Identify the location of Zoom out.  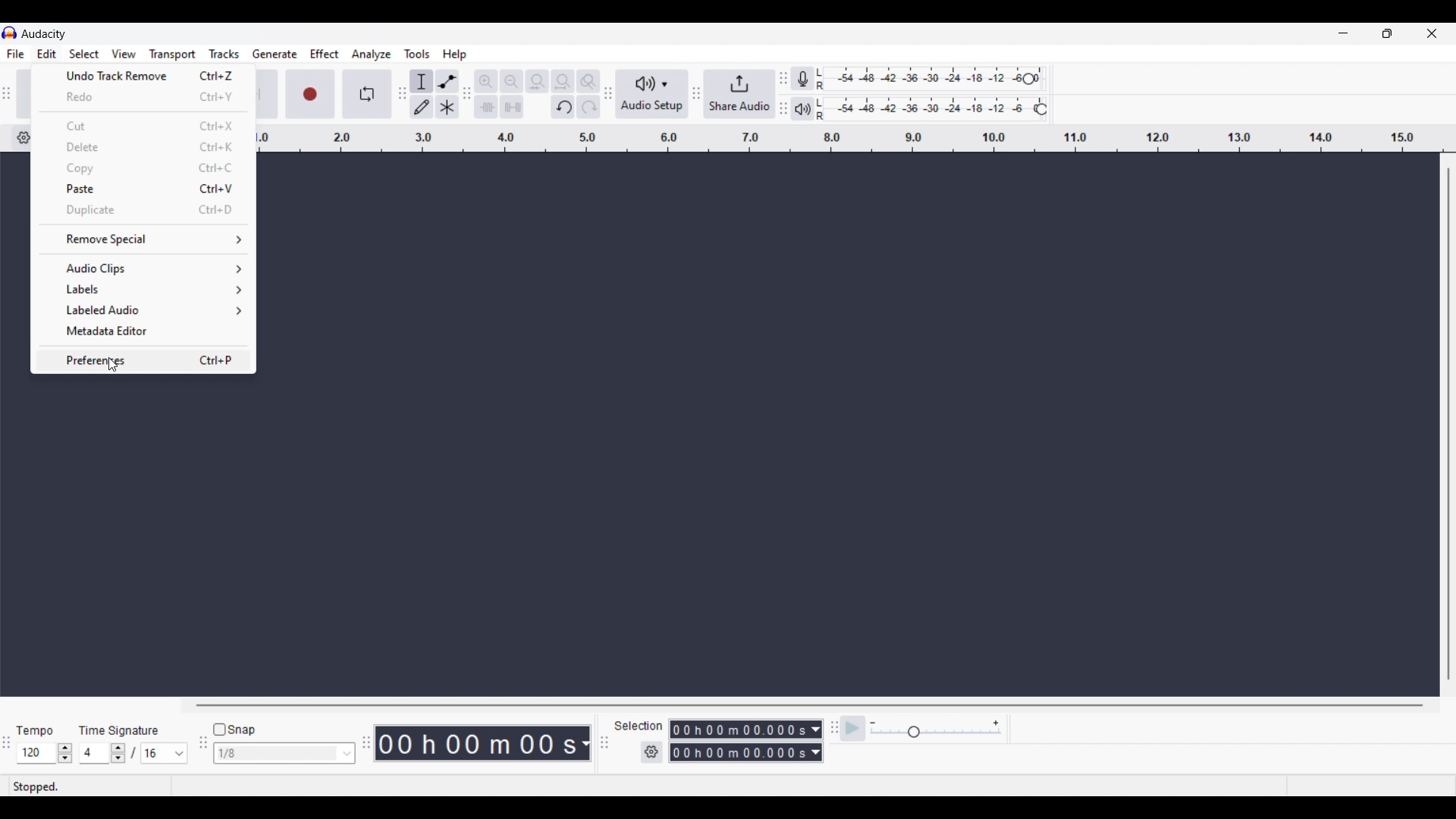
(511, 81).